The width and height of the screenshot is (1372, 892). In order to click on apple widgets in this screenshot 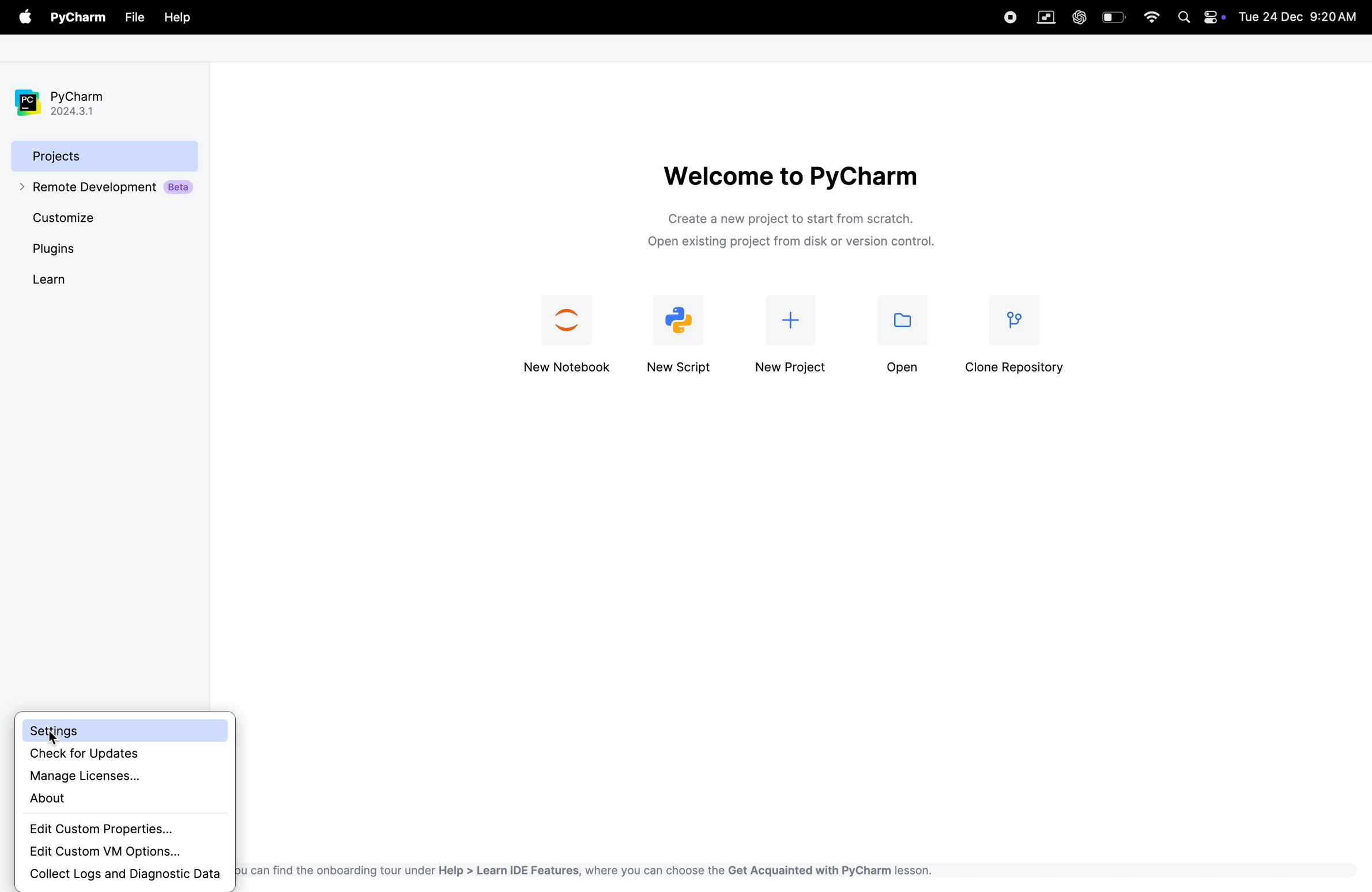, I will do `click(1215, 16)`.